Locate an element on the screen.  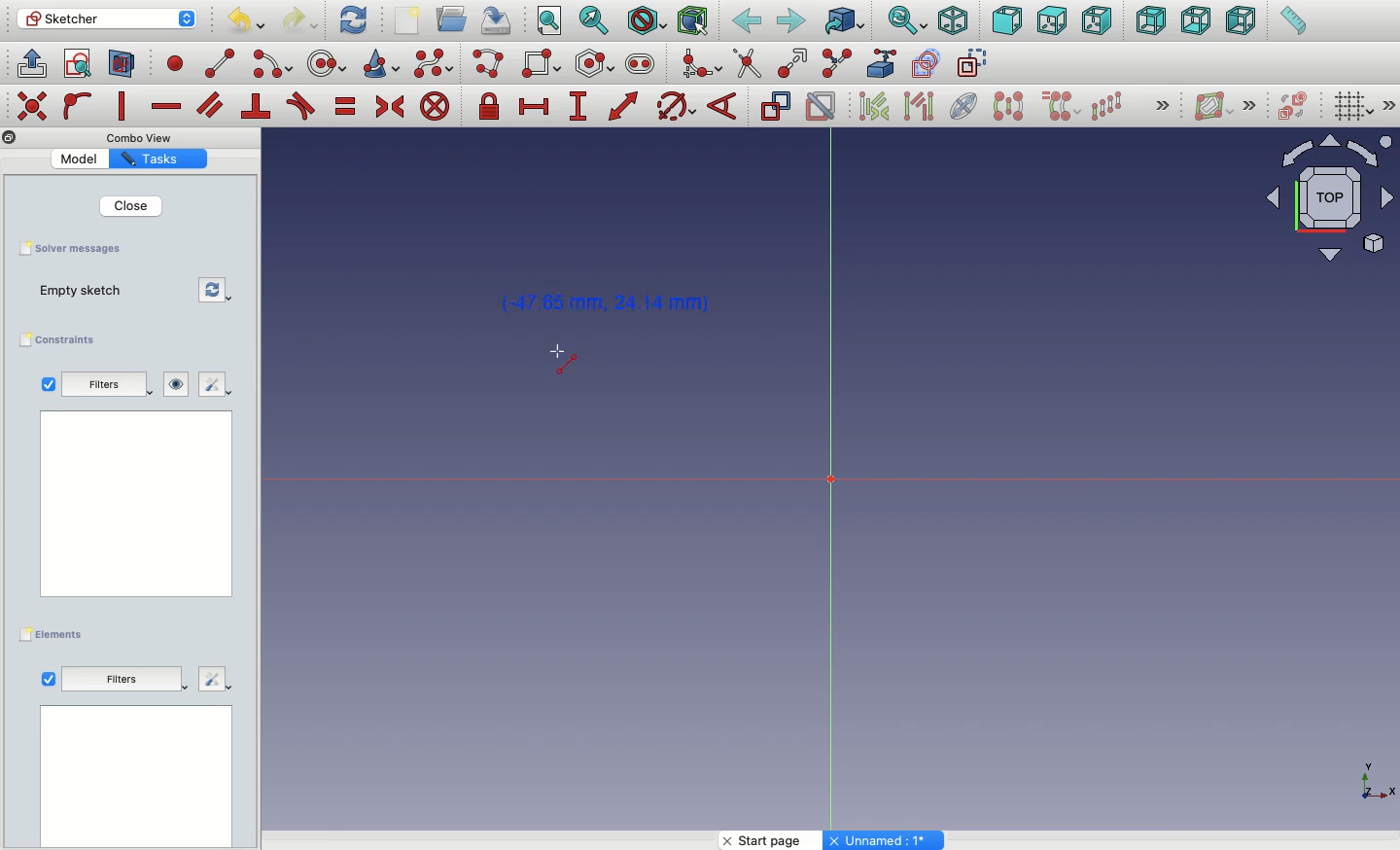
Edit is located at coordinates (217, 385).